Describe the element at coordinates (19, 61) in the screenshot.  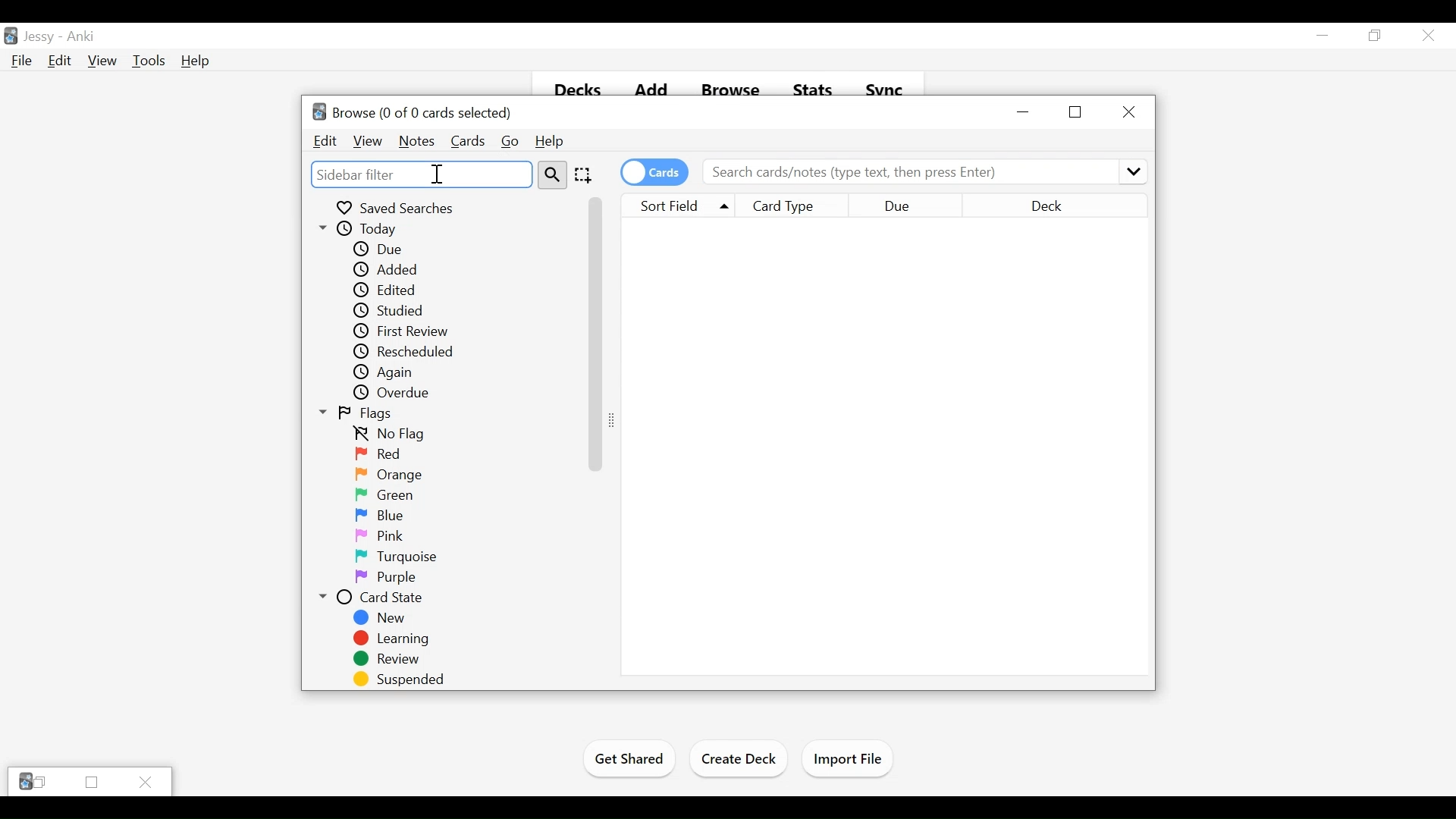
I see `File` at that location.